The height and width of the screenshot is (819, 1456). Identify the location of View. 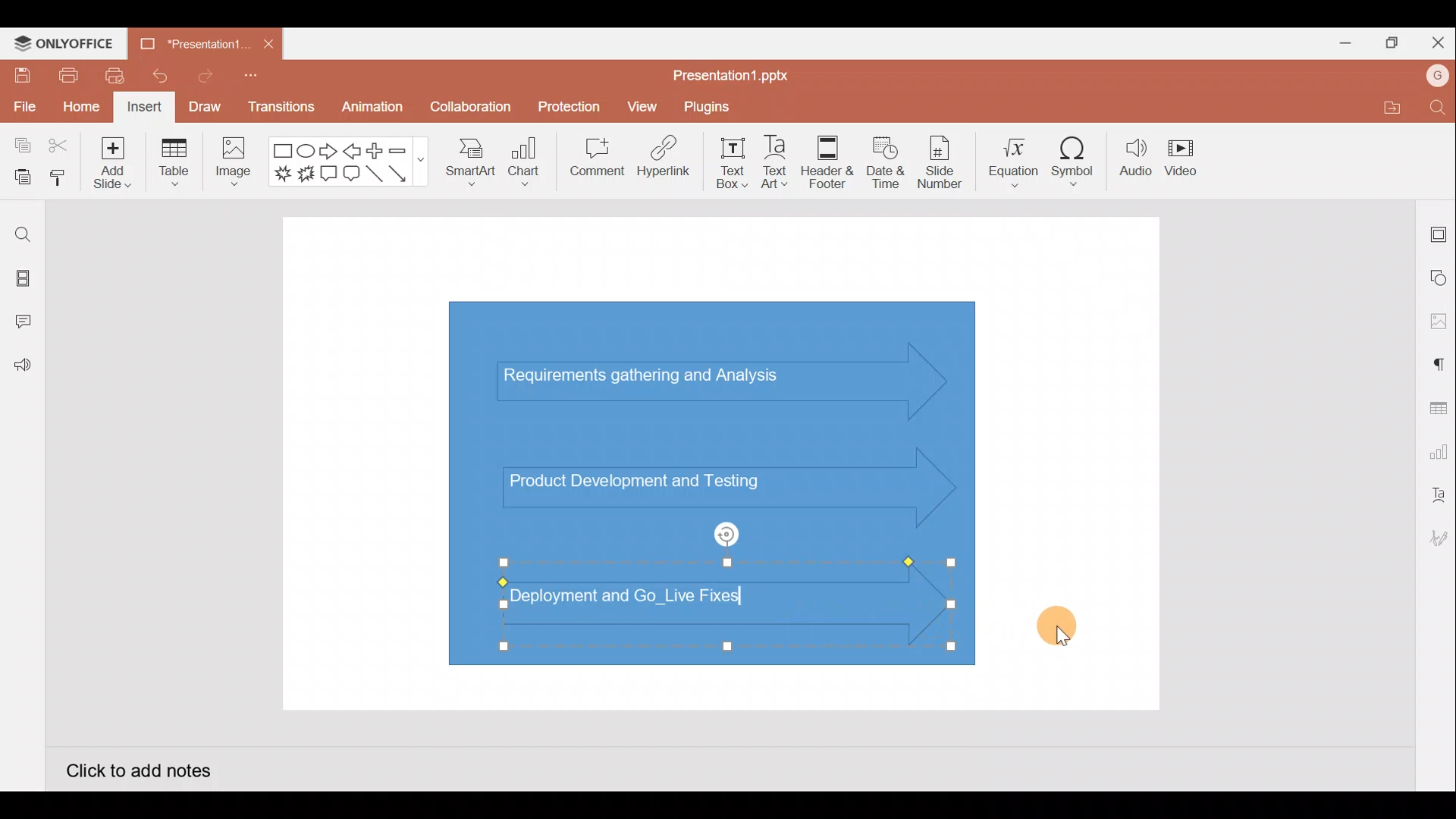
(645, 103).